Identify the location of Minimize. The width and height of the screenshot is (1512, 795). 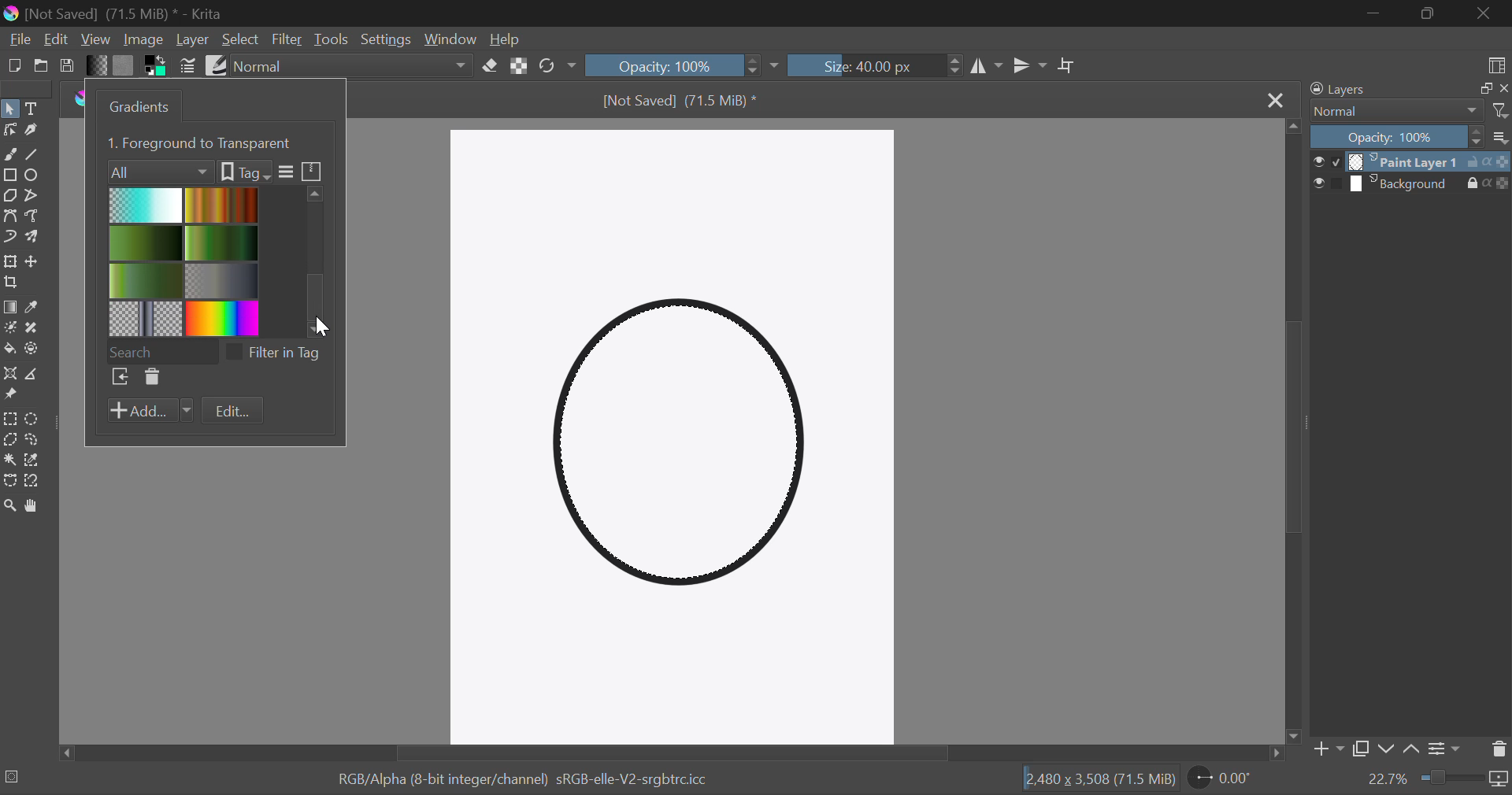
(1430, 14).